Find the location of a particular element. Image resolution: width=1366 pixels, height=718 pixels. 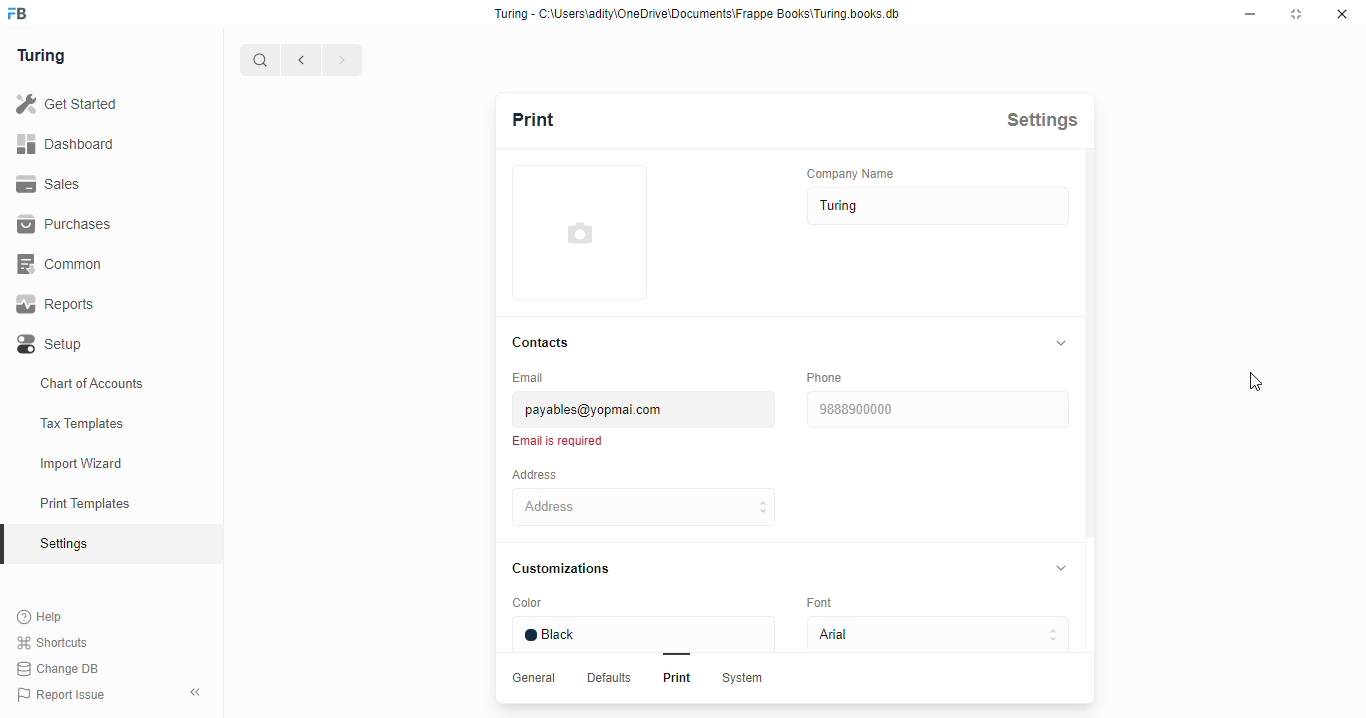

Customizations is located at coordinates (571, 568).